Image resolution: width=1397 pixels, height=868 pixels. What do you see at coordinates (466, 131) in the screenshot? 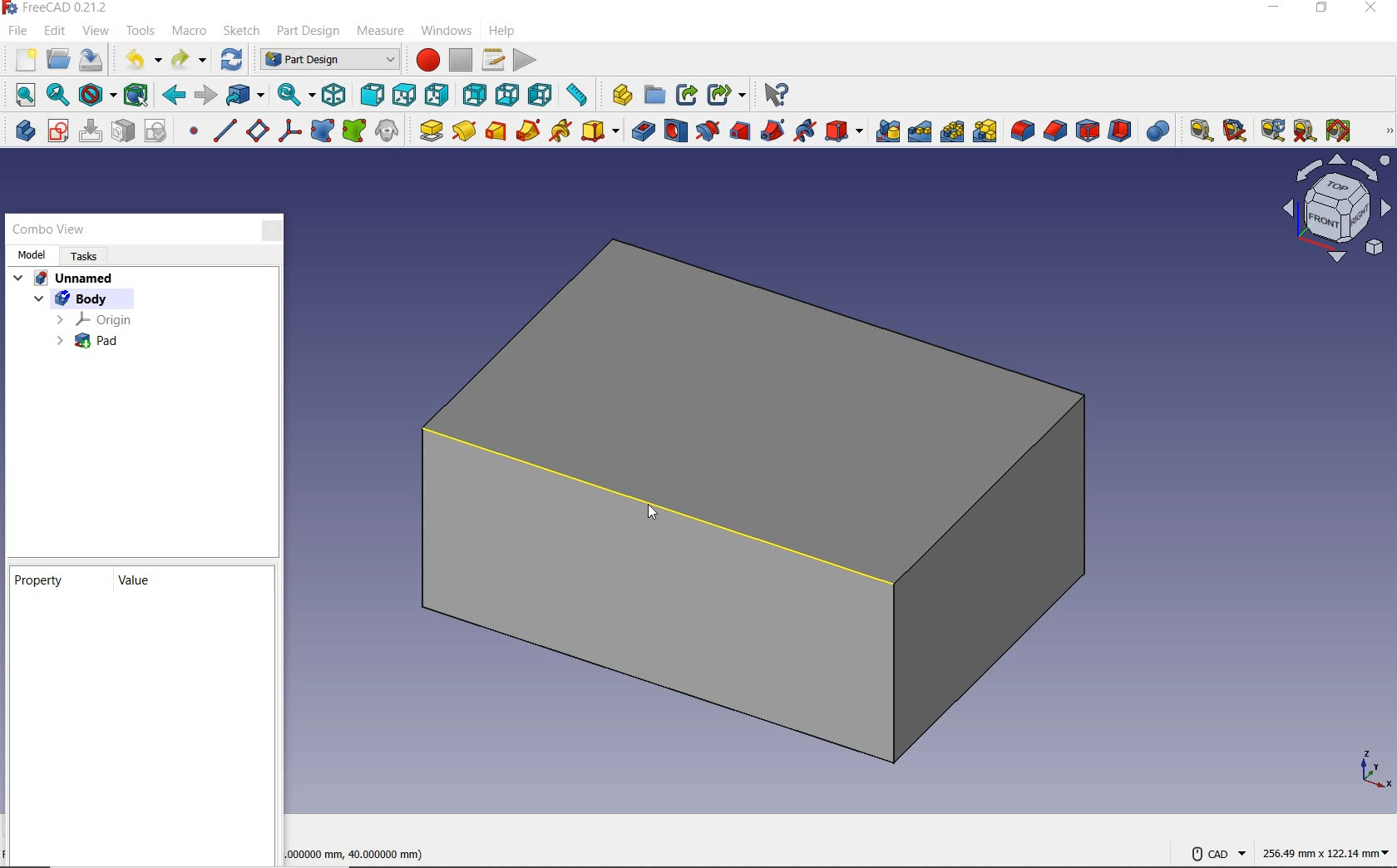
I see `revolution` at bounding box center [466, 131].